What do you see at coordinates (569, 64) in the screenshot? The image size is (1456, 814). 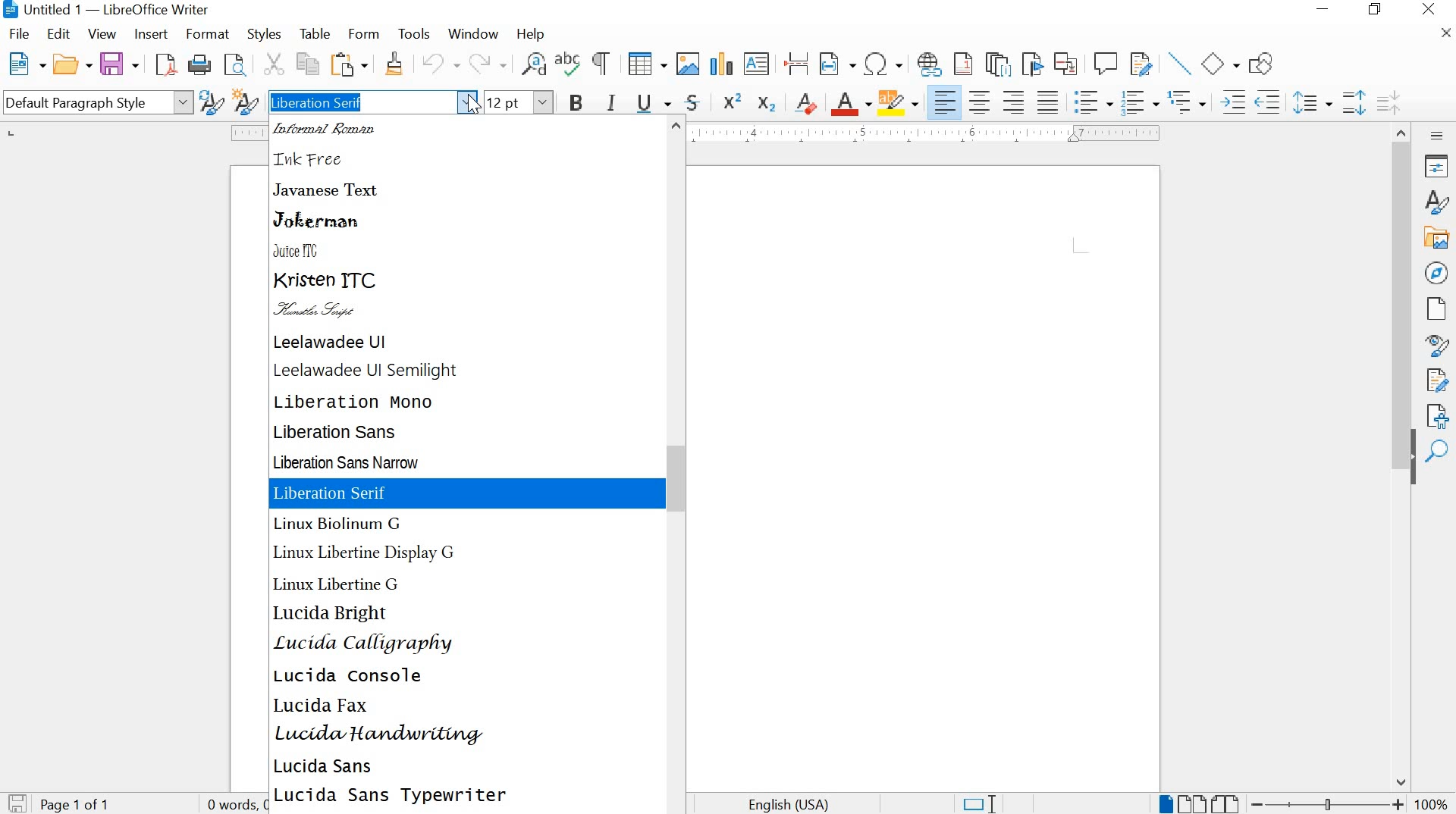 I see `SPELLING CHECK` at bounding box center [569, 64].